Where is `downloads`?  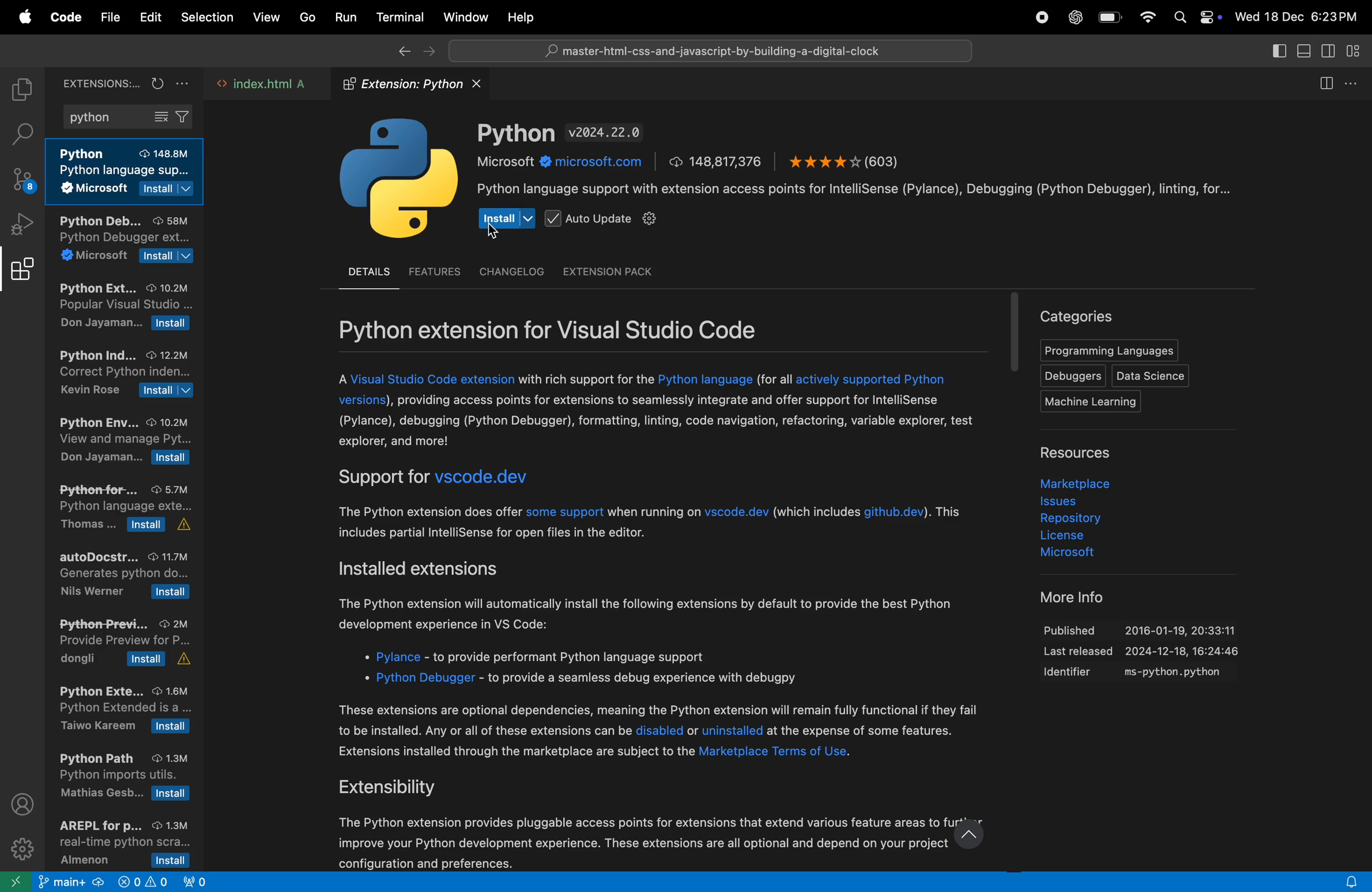
downloads is located at coordinates (717, 161).